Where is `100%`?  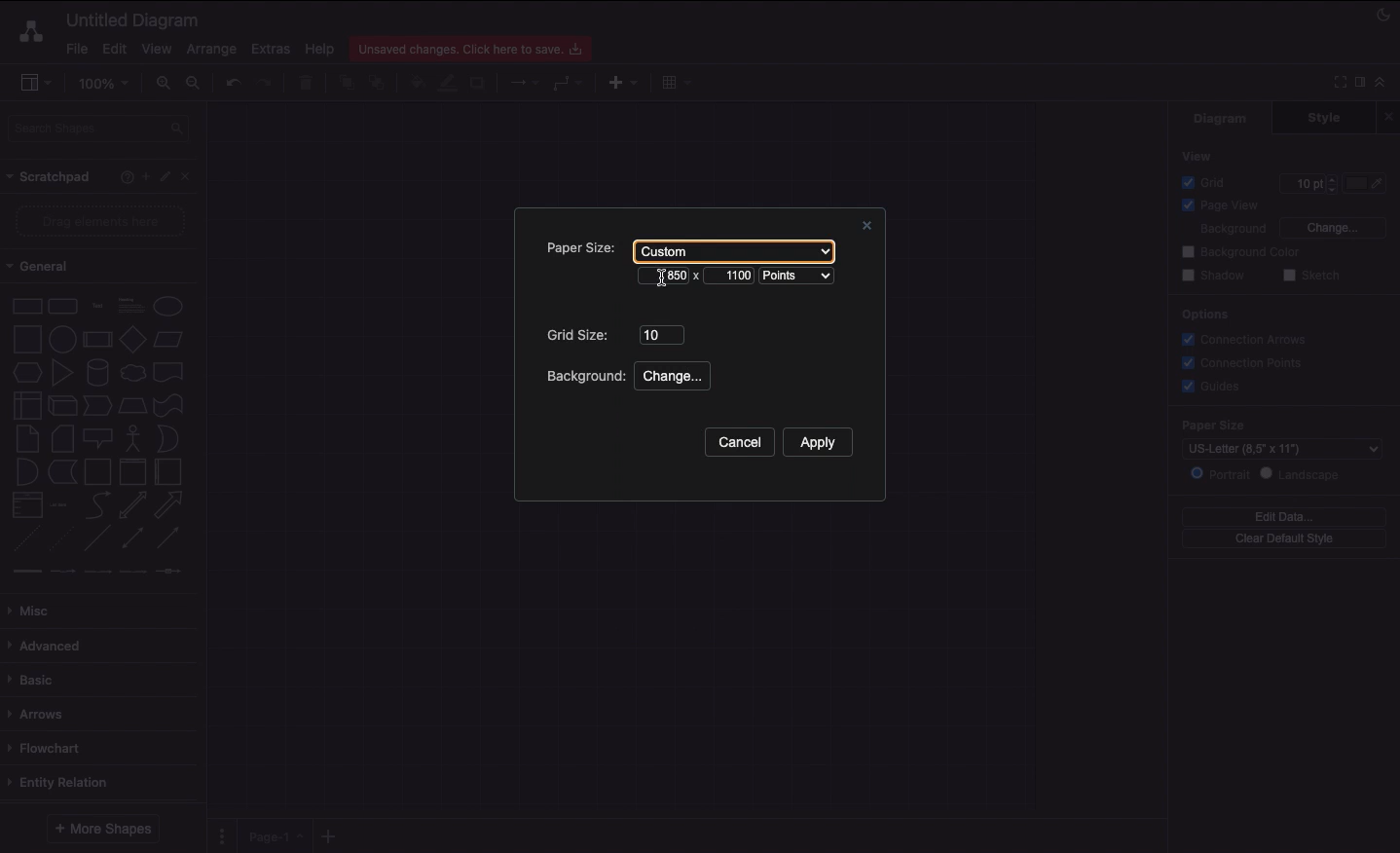 100% is located at coordinates (106, 84).